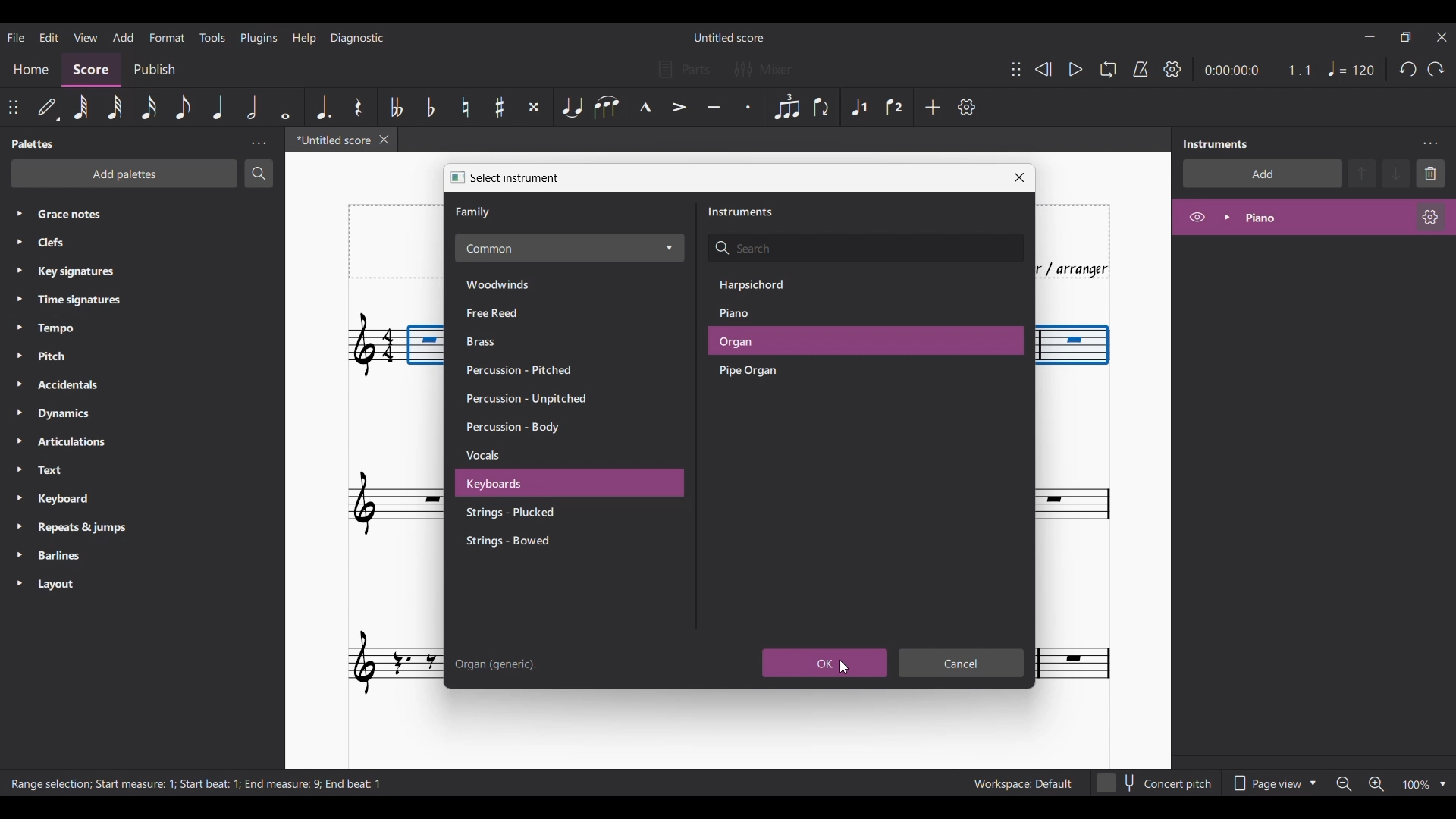  I want to click on Instrument settings, so click(1429, 144).